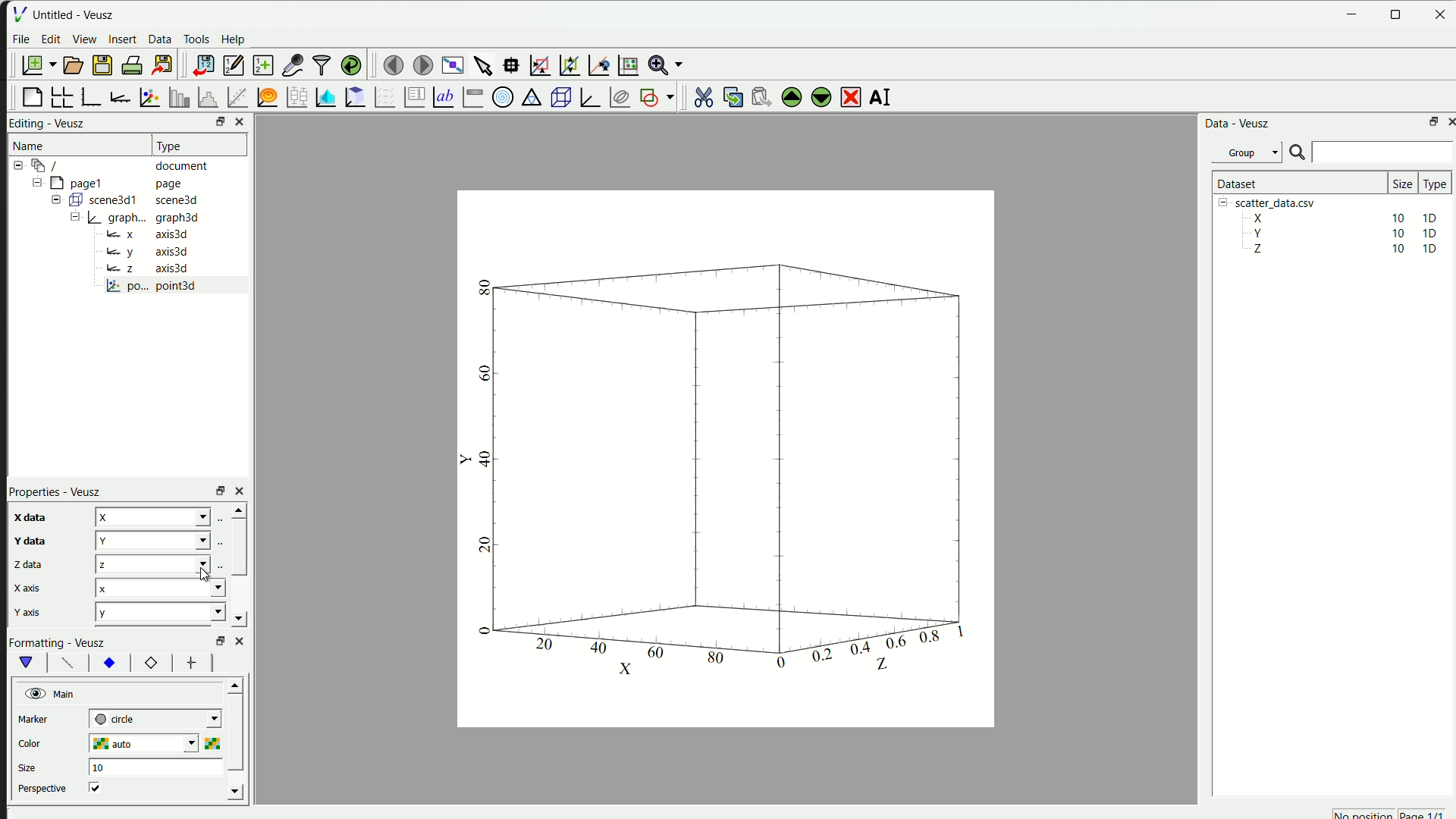  I want to click on font, so click(65, 663).